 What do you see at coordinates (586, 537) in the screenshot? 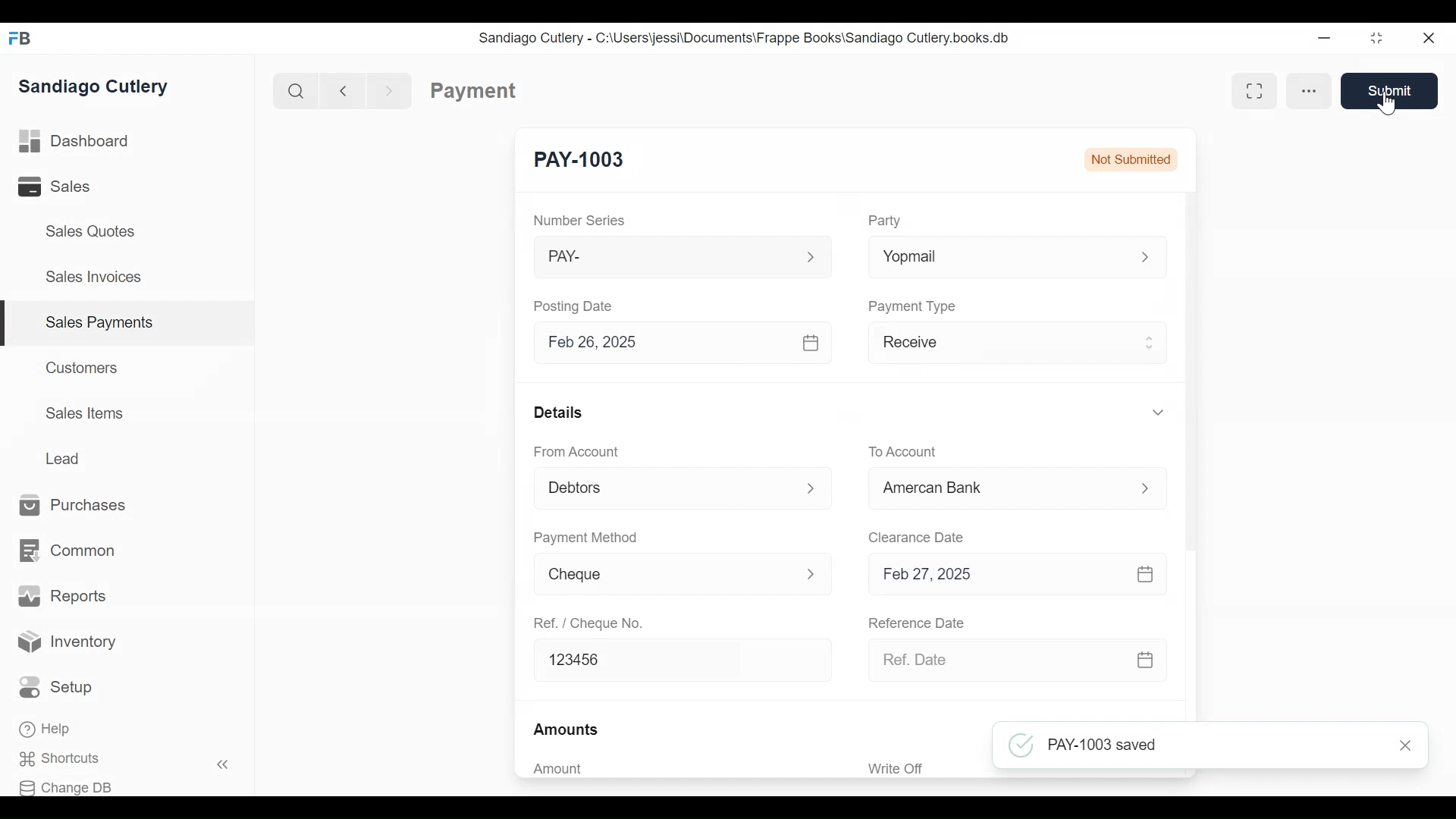
I see `Payment Method` at bounding box center [586, 537].